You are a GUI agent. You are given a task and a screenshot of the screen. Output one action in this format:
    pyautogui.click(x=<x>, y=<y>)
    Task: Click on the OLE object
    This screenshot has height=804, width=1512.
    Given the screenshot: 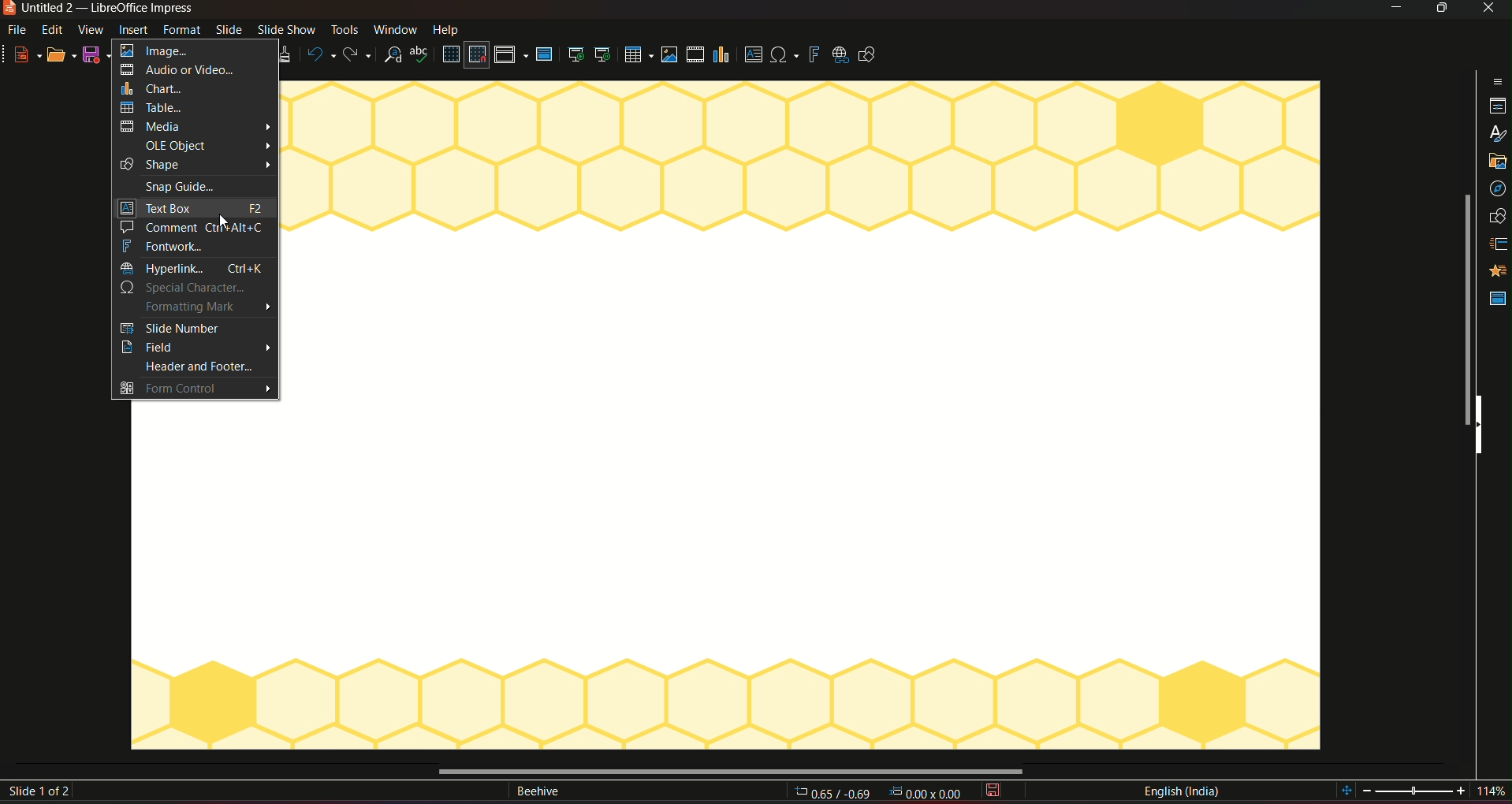 What is the action you would take?
    pyautogui.click(x=196, y=145)
    